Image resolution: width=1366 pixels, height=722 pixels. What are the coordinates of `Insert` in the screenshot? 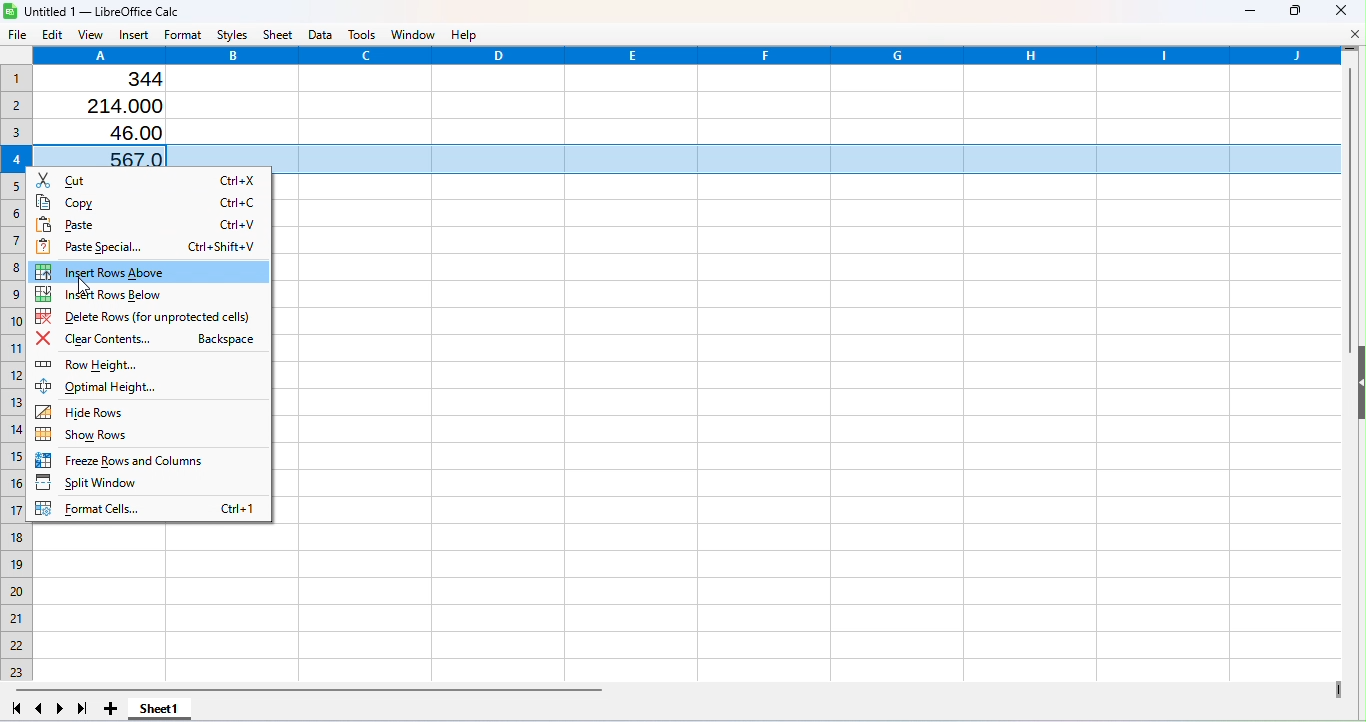 It's located at (132, 36).